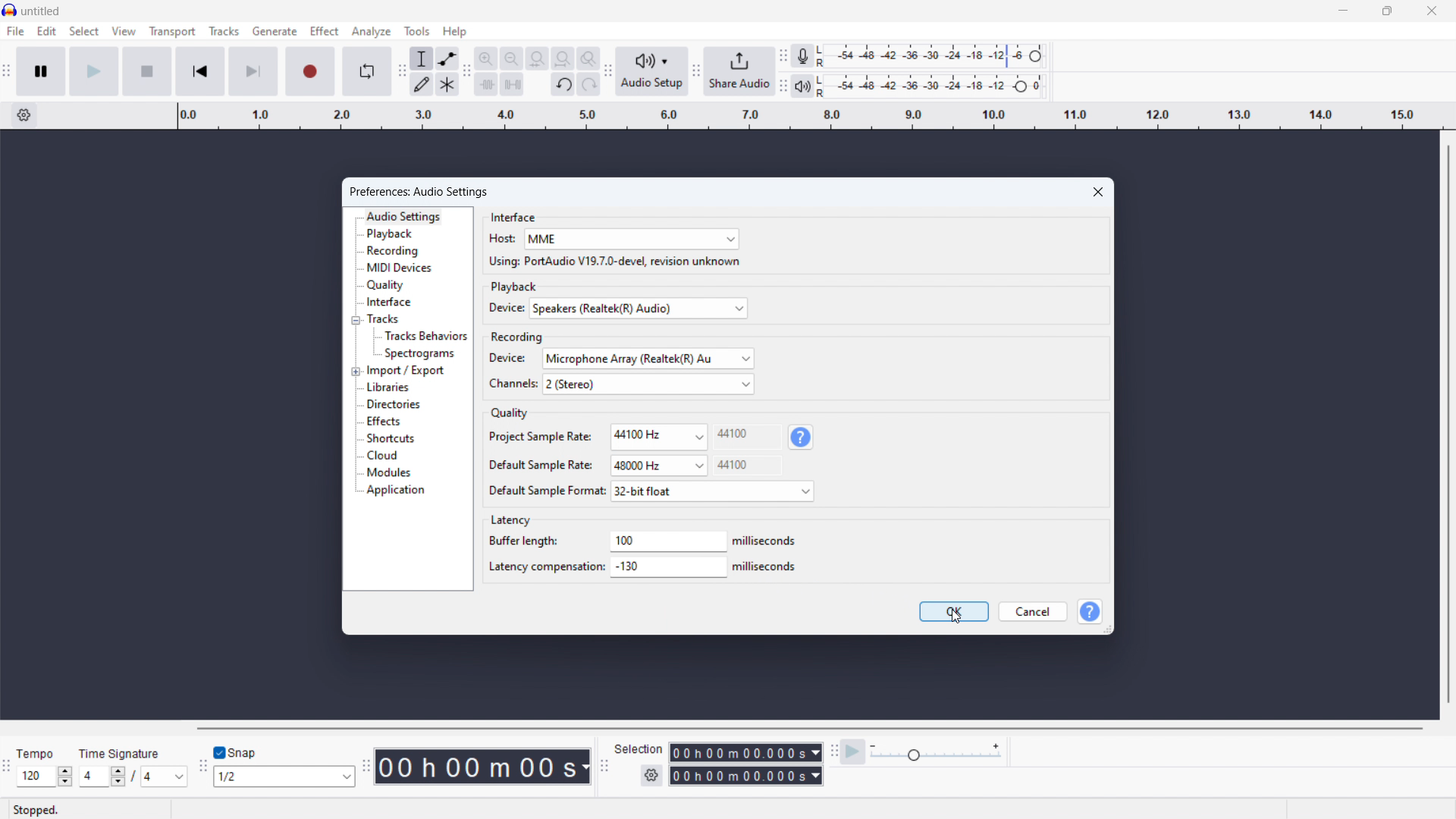 Image resolution: width=1456 pixels, height=819 pixels. I want to click on zoom in, so click(485, 58).